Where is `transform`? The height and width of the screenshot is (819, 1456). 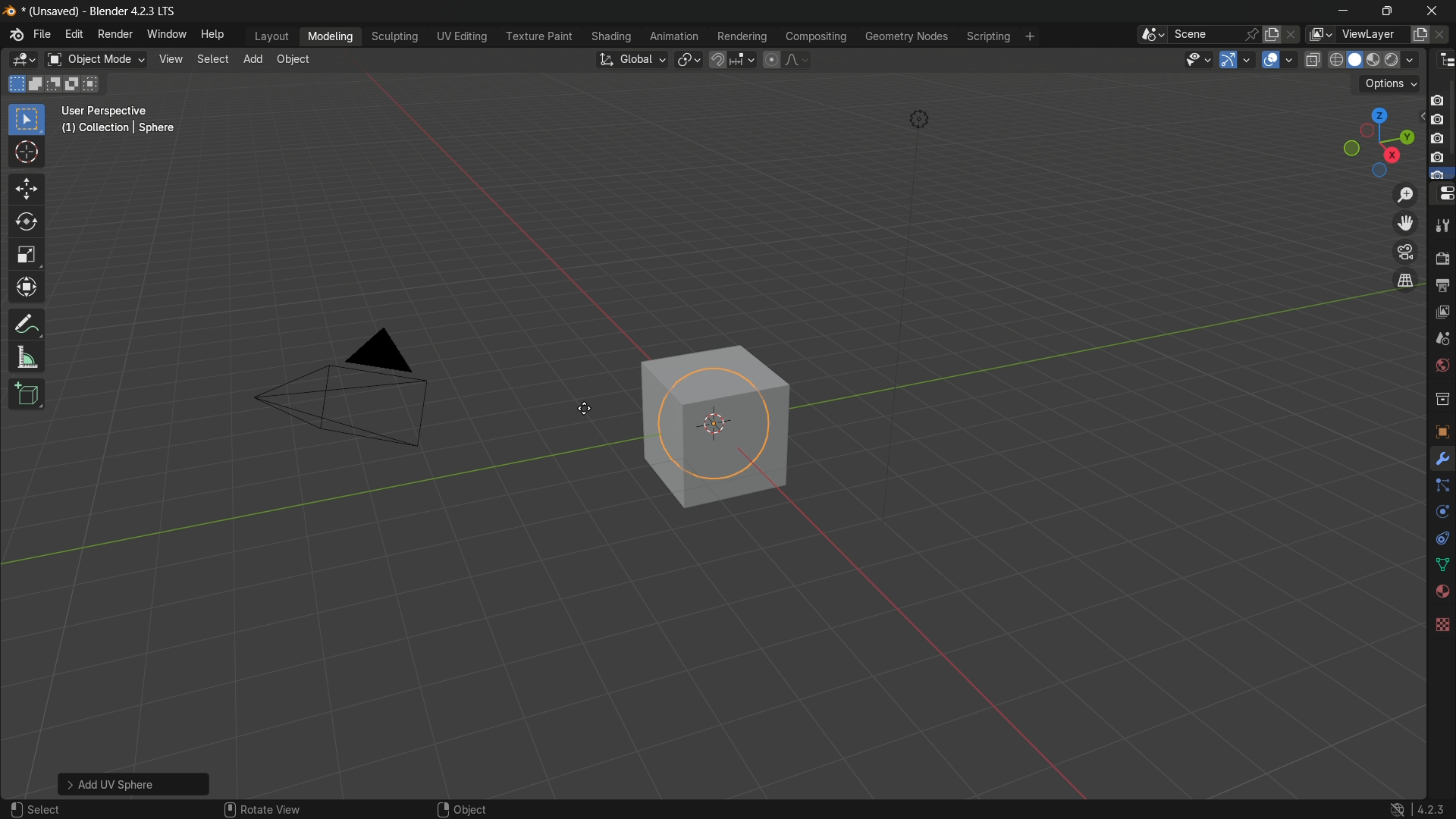
transform is located at coordinates (27, 287).